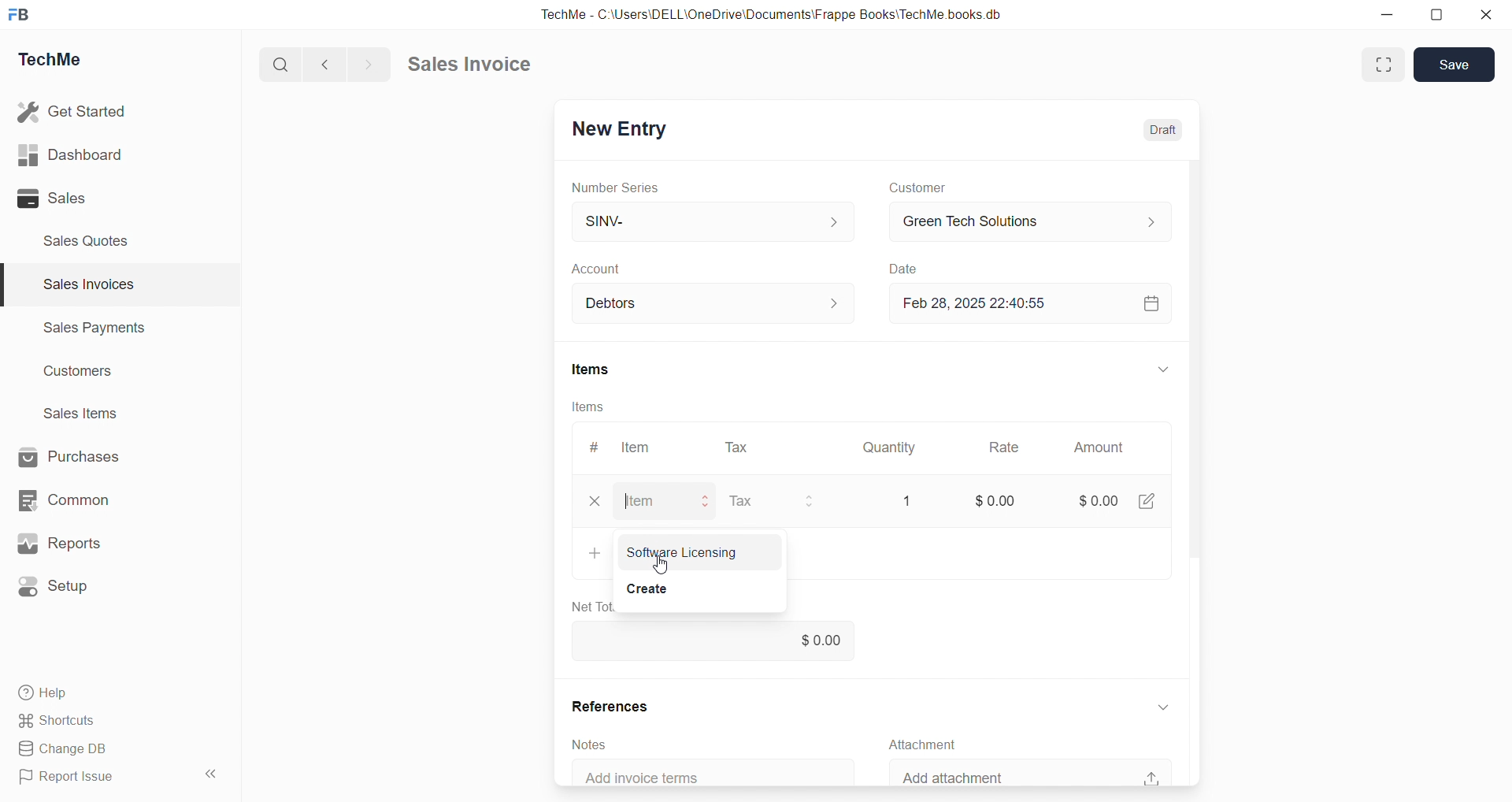 This screenshot has width=1512, height=802. Describe the element at coordinates (736, 448) in the screenshot. I see `Tax` at that location.